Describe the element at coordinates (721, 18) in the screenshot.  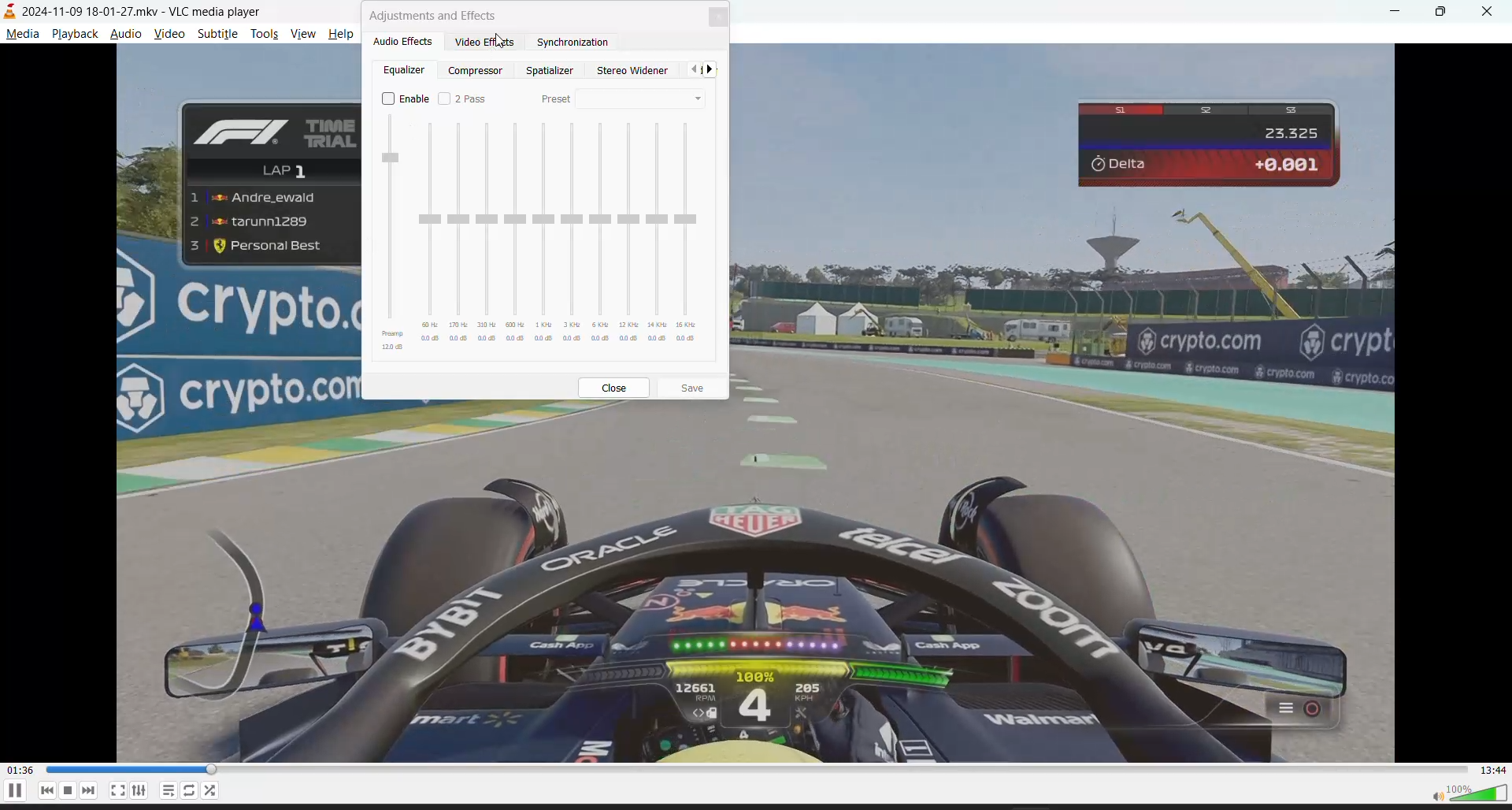
I see `close tab` at that location.